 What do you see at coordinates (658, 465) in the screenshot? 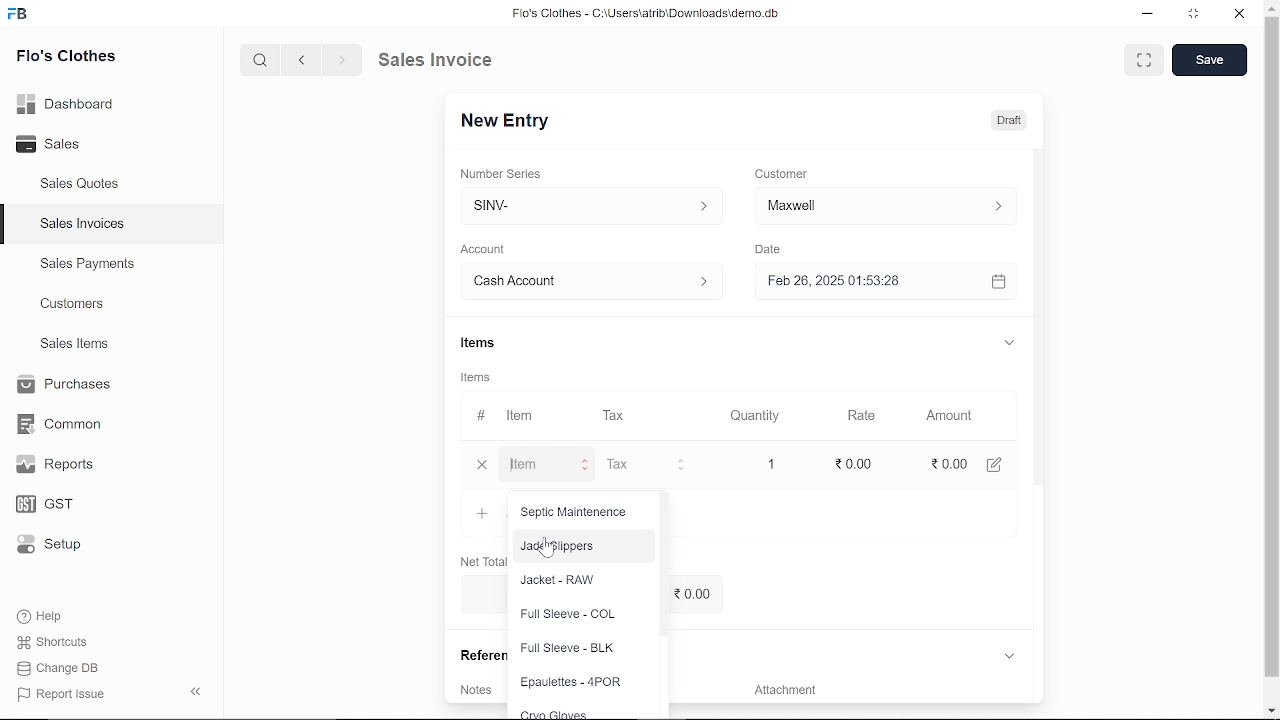
I see `Tax` at bounding box center [658, 465].